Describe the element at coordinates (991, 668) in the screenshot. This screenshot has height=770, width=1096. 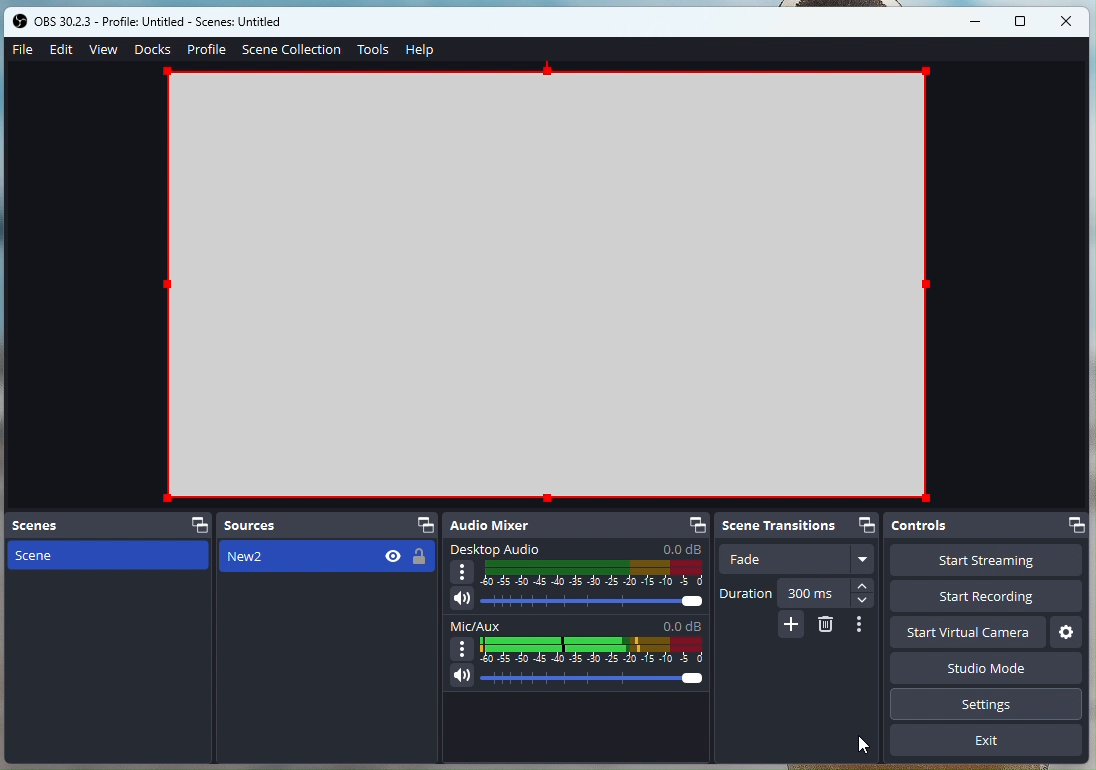
I see `Studio Mode` at that location.